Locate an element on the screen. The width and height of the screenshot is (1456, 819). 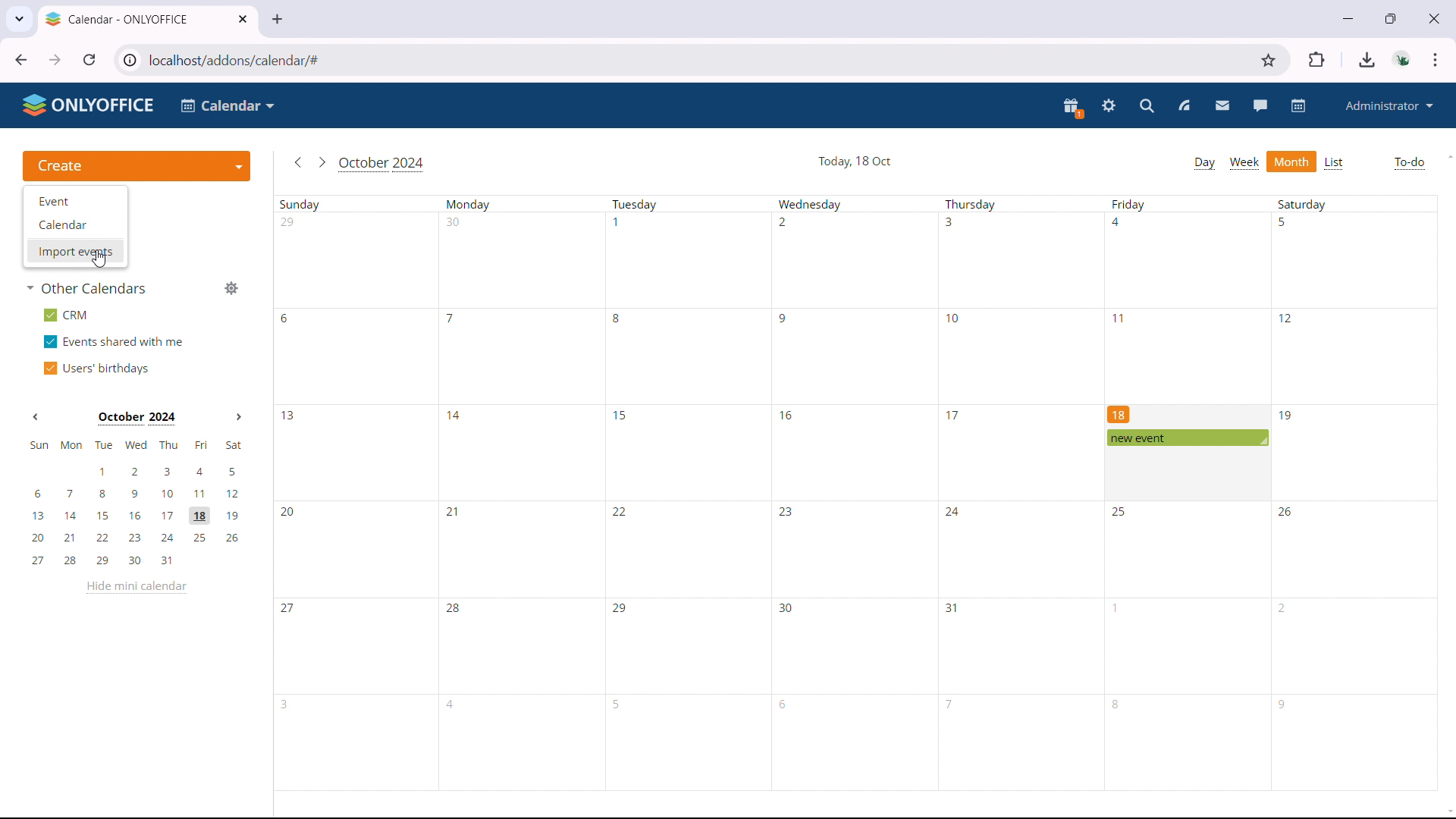
hide mini calendar is located at coordinates (136, 586).